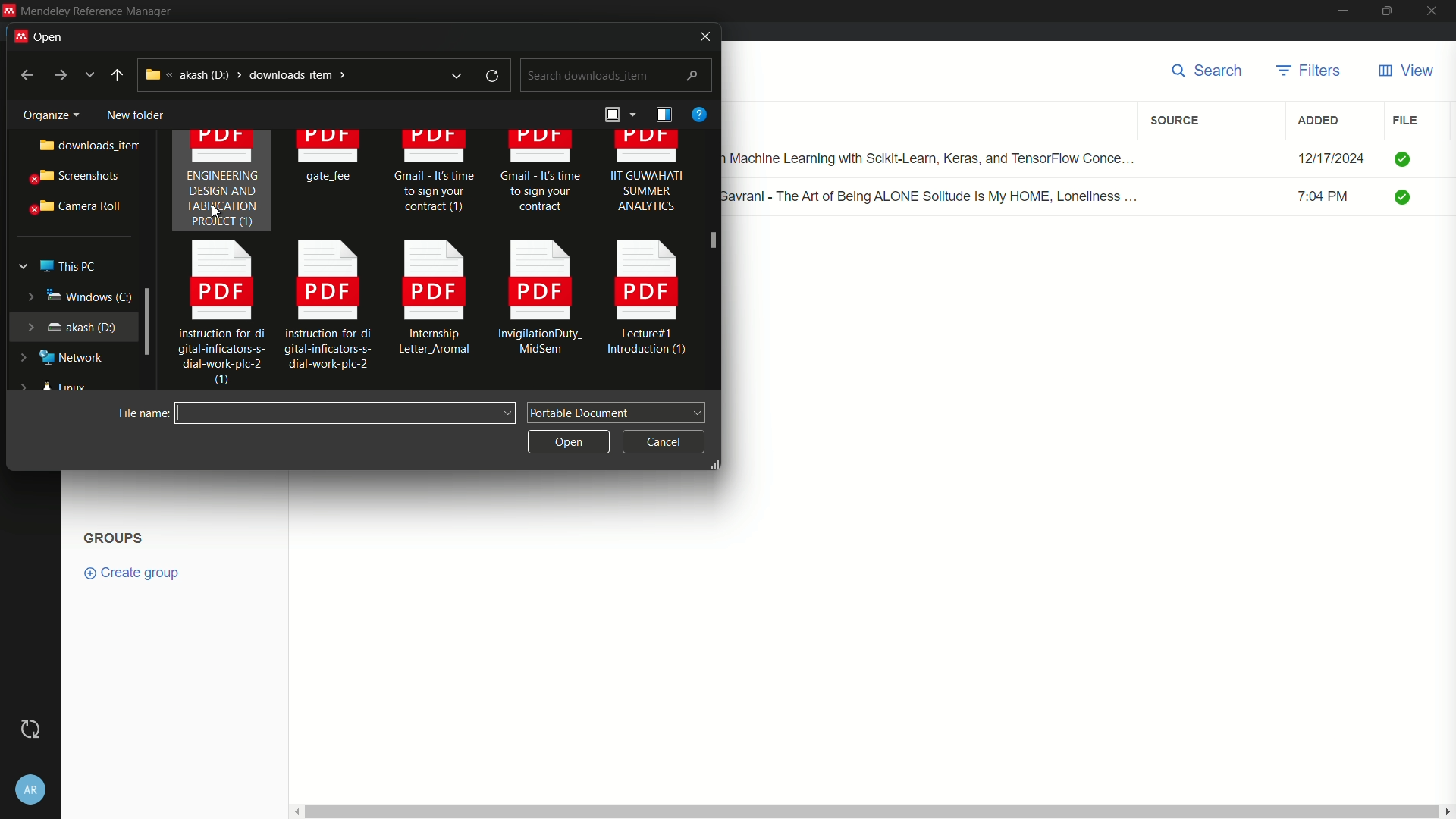  Describe the element at coordinates (223, 183) in the screenshot. I see `ENGINEERING
DESIGN AND

FABRICATION
PROJECT (1)` at that location.